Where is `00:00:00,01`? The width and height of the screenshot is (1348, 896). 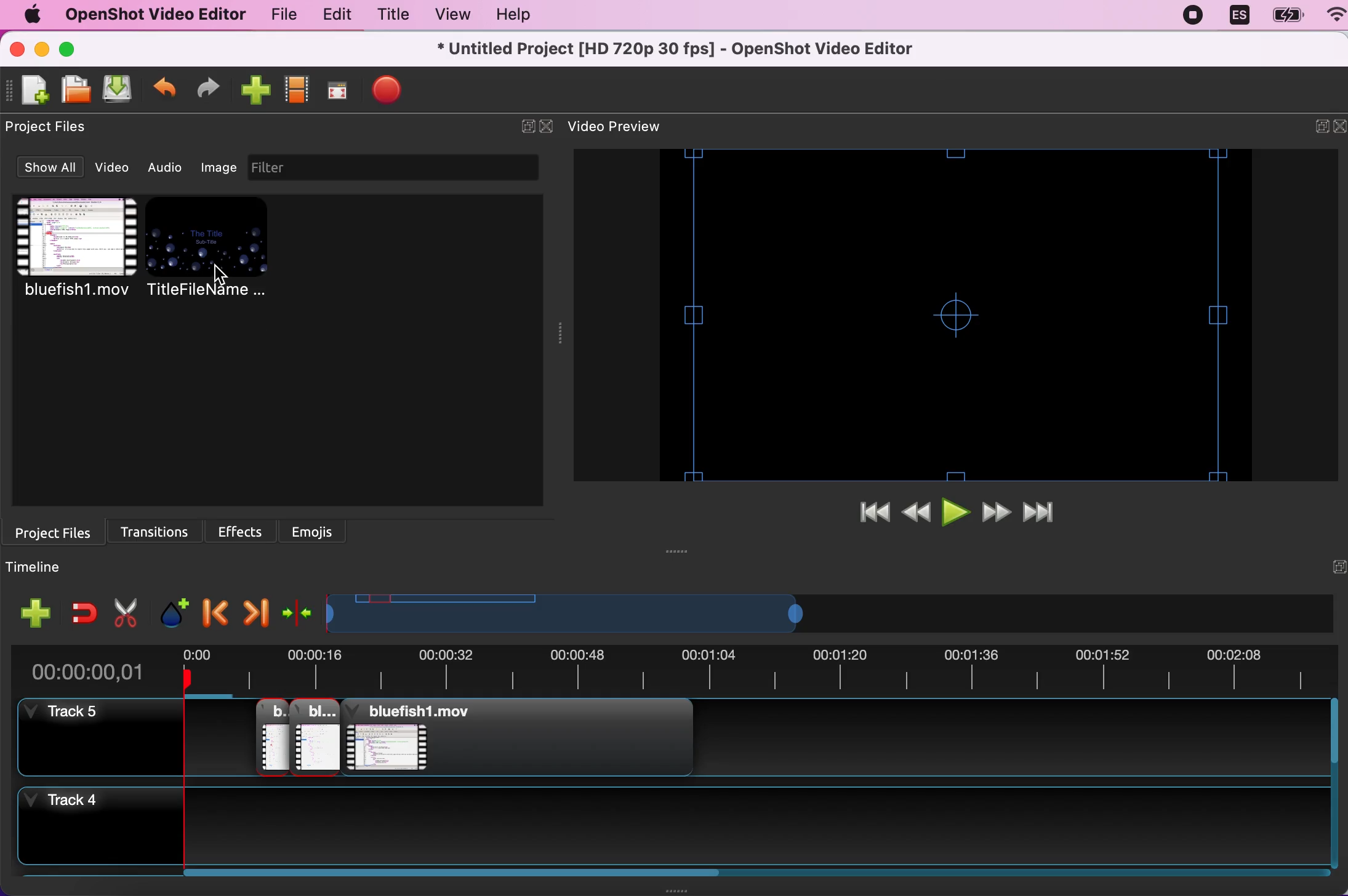
00:00:00,01 is located at coordinates (89, 668).